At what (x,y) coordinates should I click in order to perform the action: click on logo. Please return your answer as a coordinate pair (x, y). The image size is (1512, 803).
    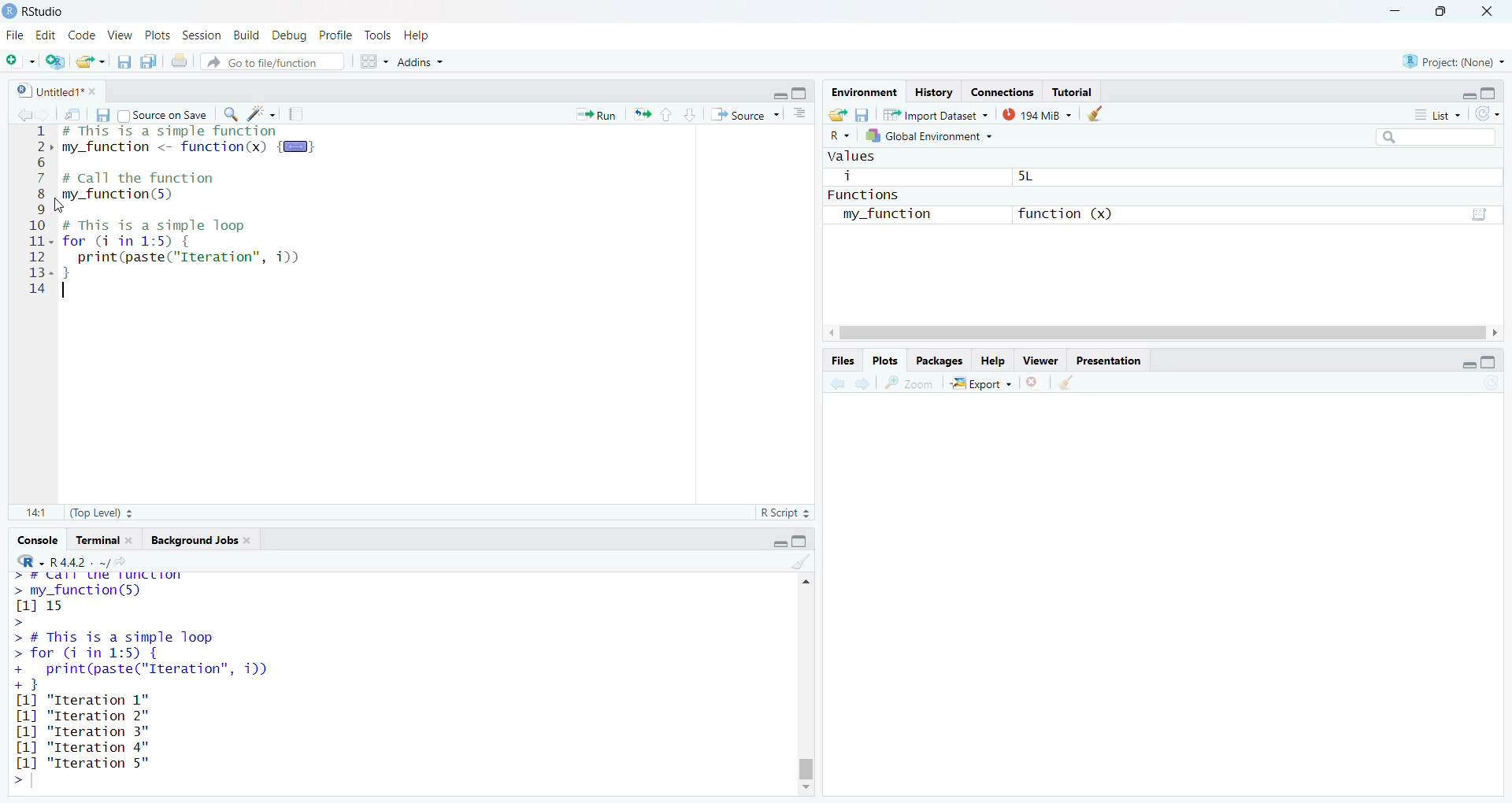
    Looking at the image, I should click on (9, 11).